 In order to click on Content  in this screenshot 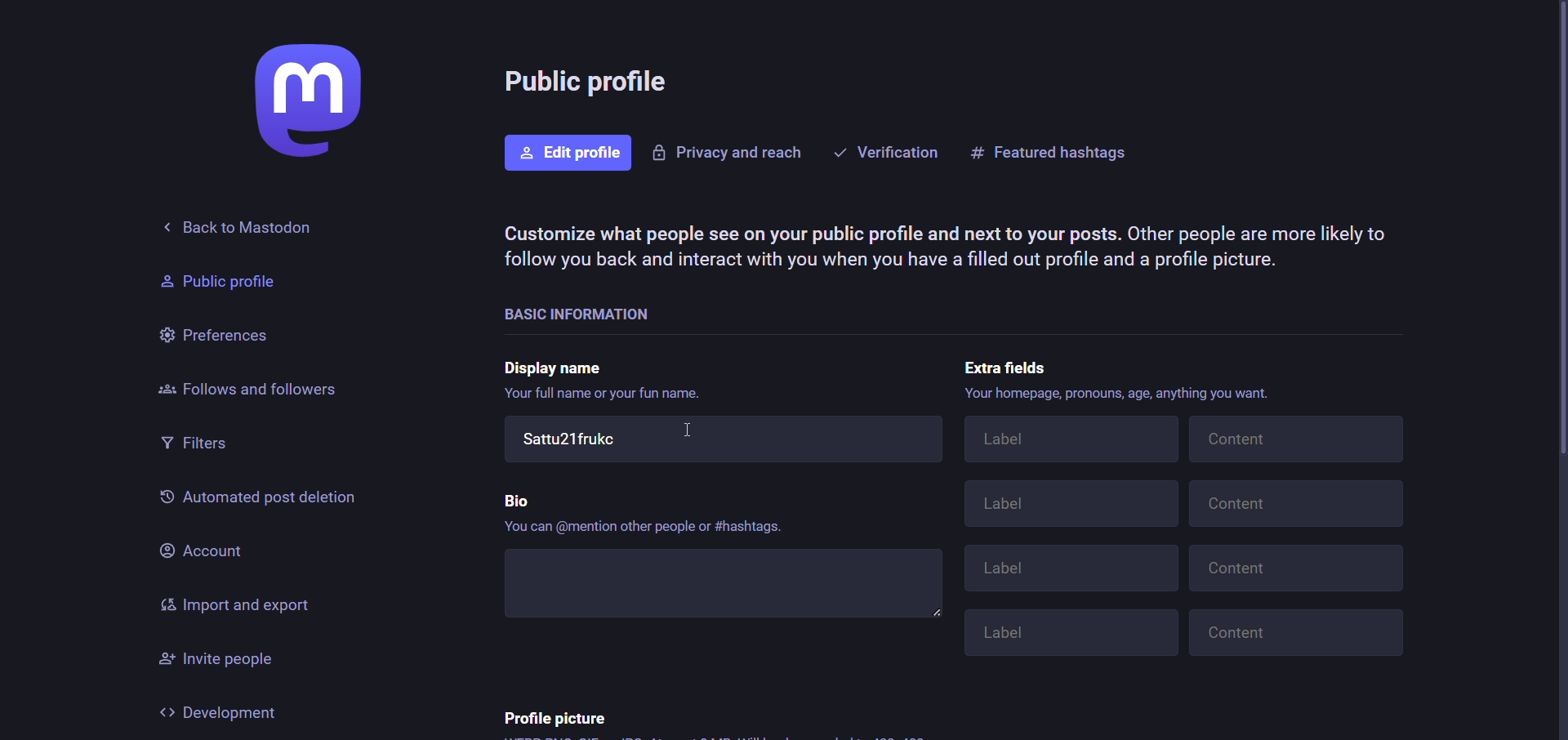, I will do `click(1293, 635)`.